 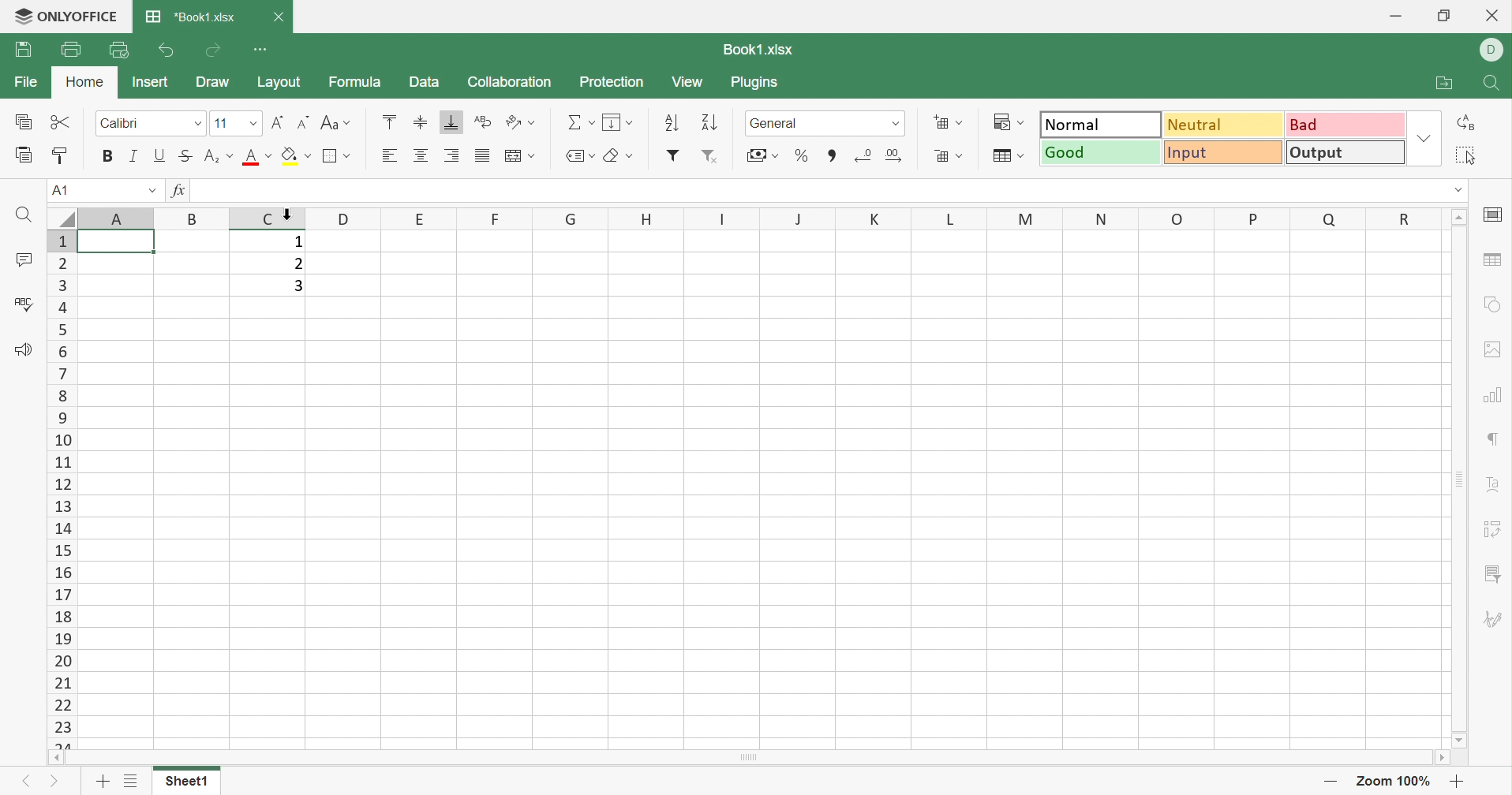 I want to click on Shape settings, so click(x=1493, y=303).